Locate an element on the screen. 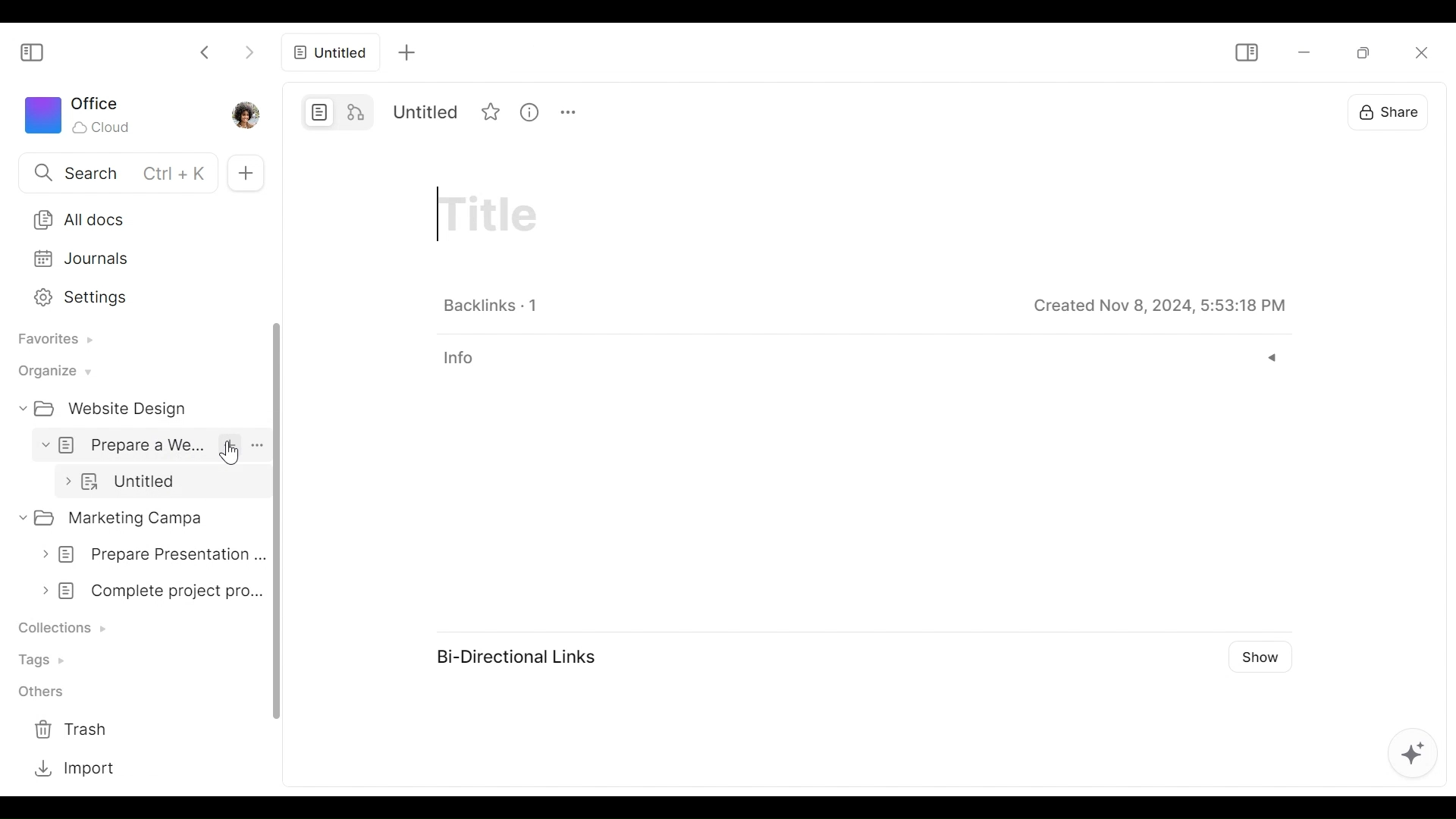 This screenshot has width=1456, height=819. minimize is located at coordinates (1307, 52).